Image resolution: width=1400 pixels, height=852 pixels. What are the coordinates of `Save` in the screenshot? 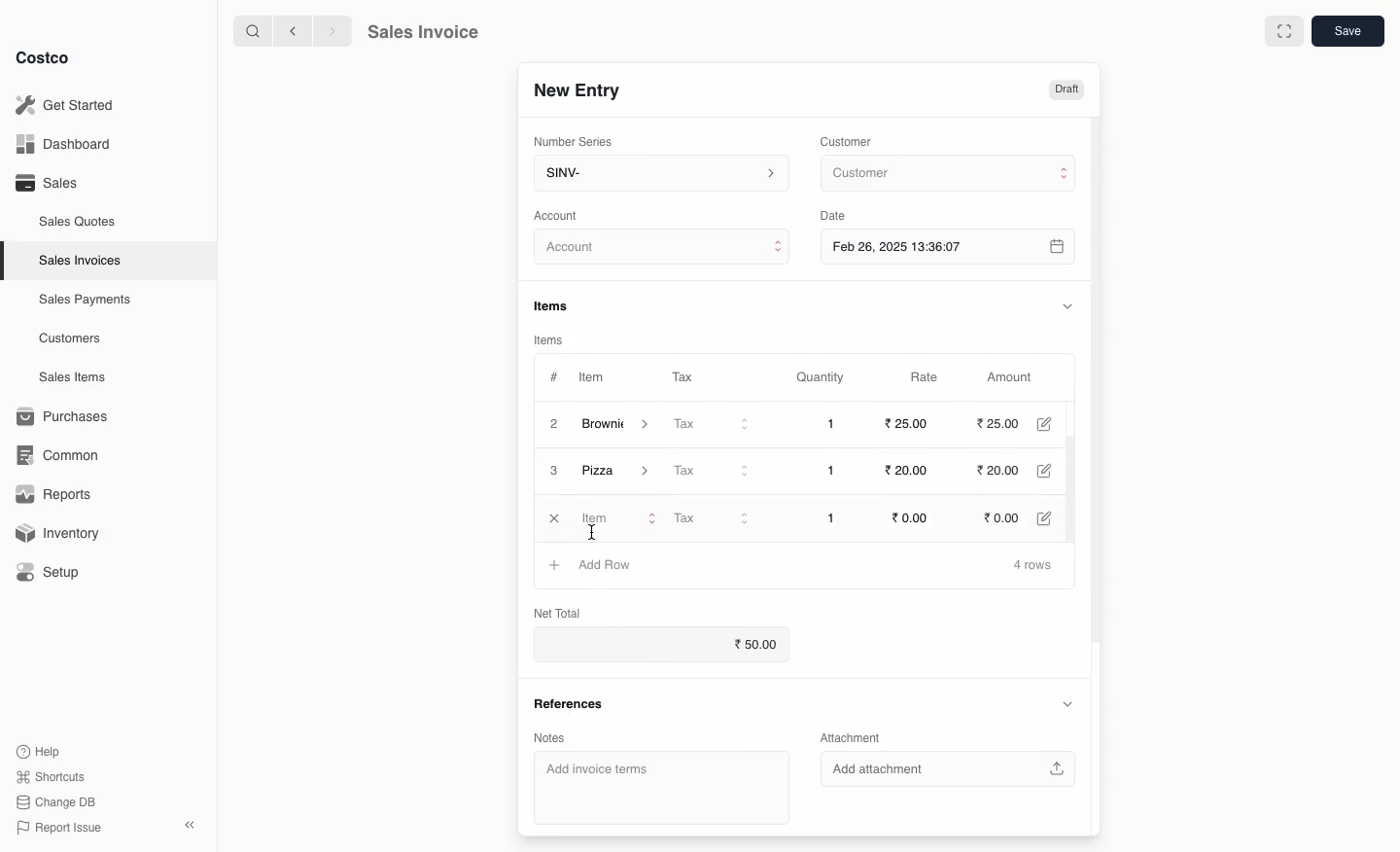 It's located at (1350, 33).